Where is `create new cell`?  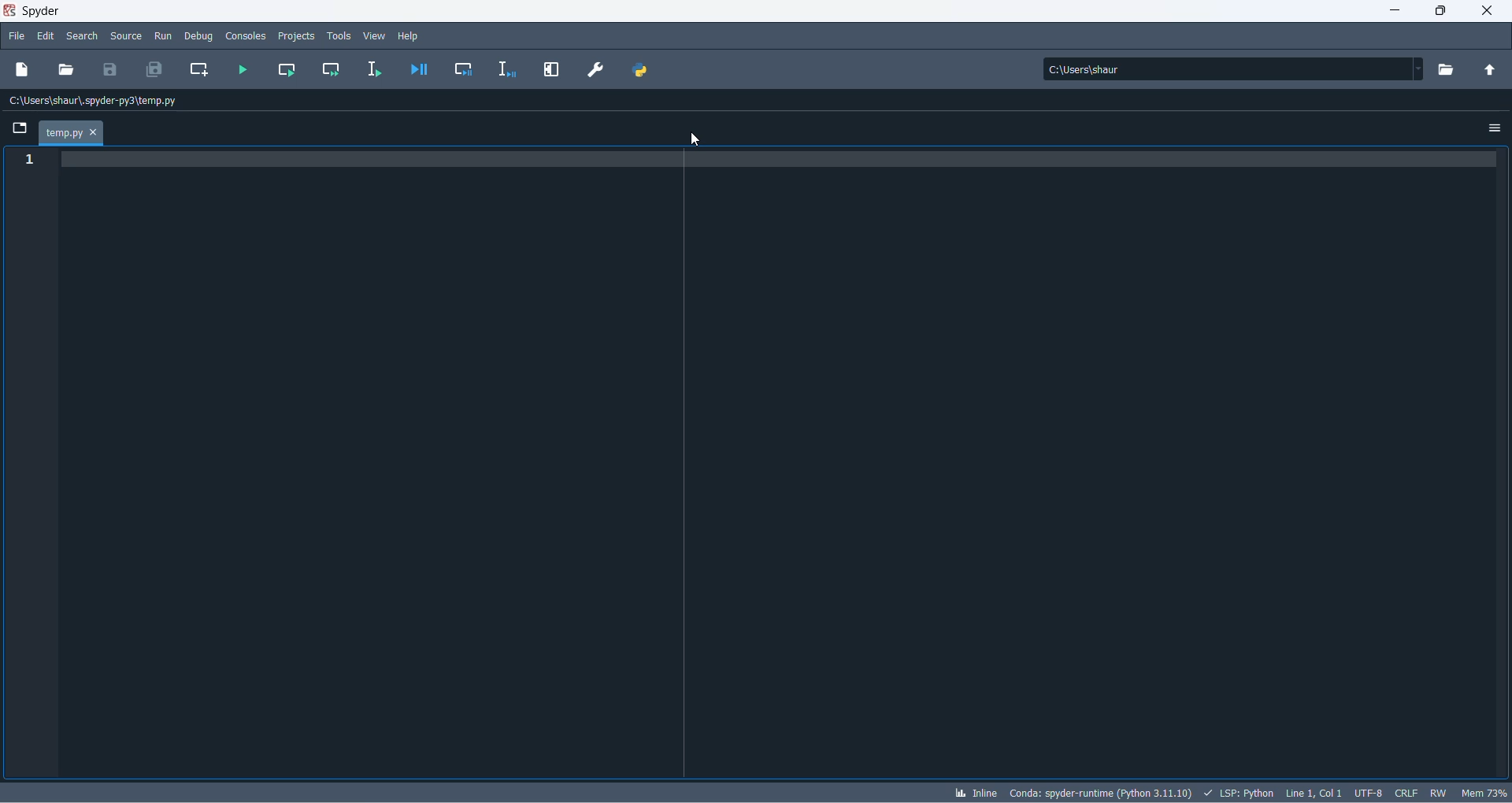
create new cell is located at coordinates (201, 71).